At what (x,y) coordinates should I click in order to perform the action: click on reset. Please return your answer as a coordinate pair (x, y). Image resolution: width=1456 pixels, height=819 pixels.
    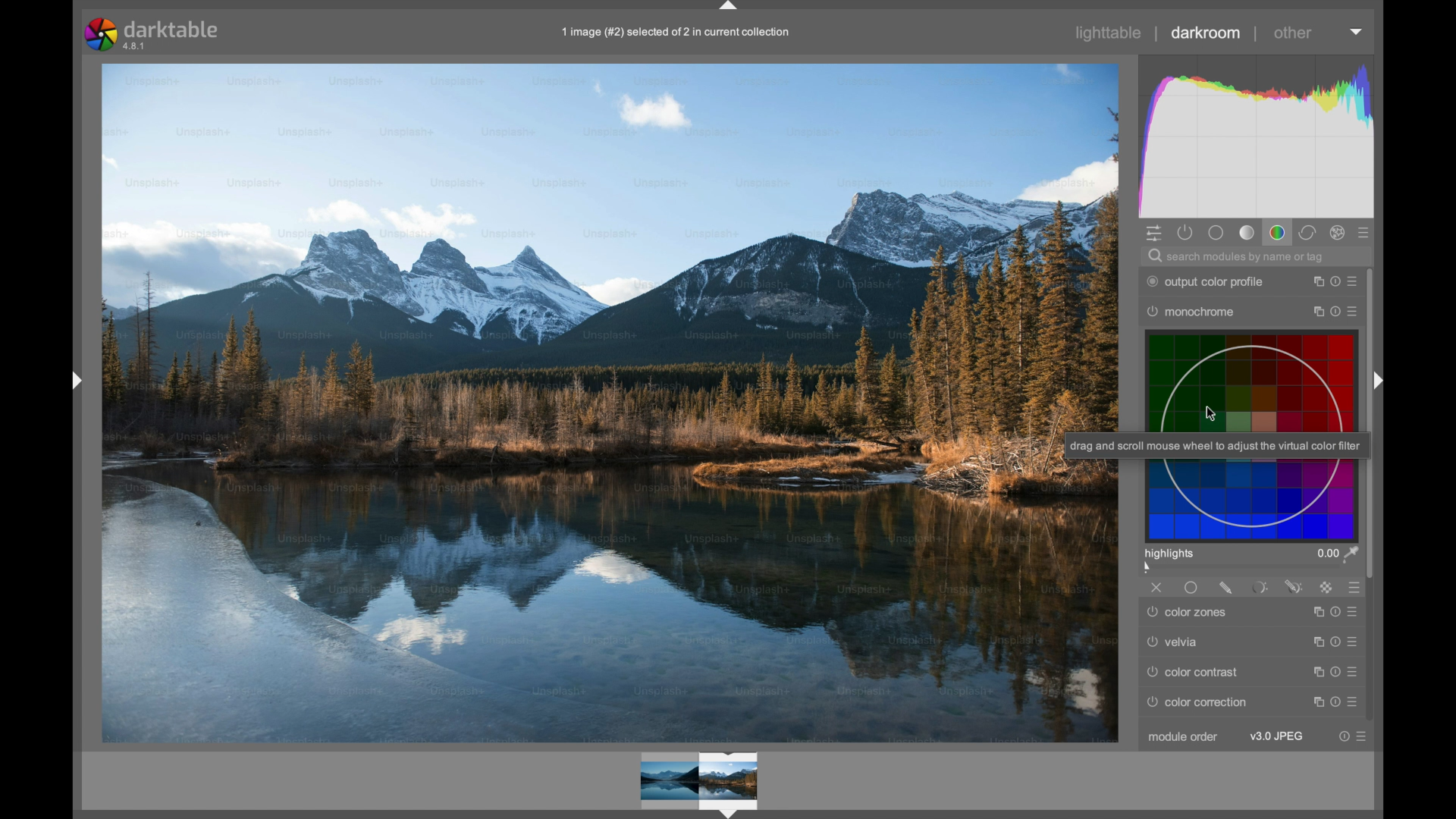
    Looking at the image, I should click on (1334, 281).